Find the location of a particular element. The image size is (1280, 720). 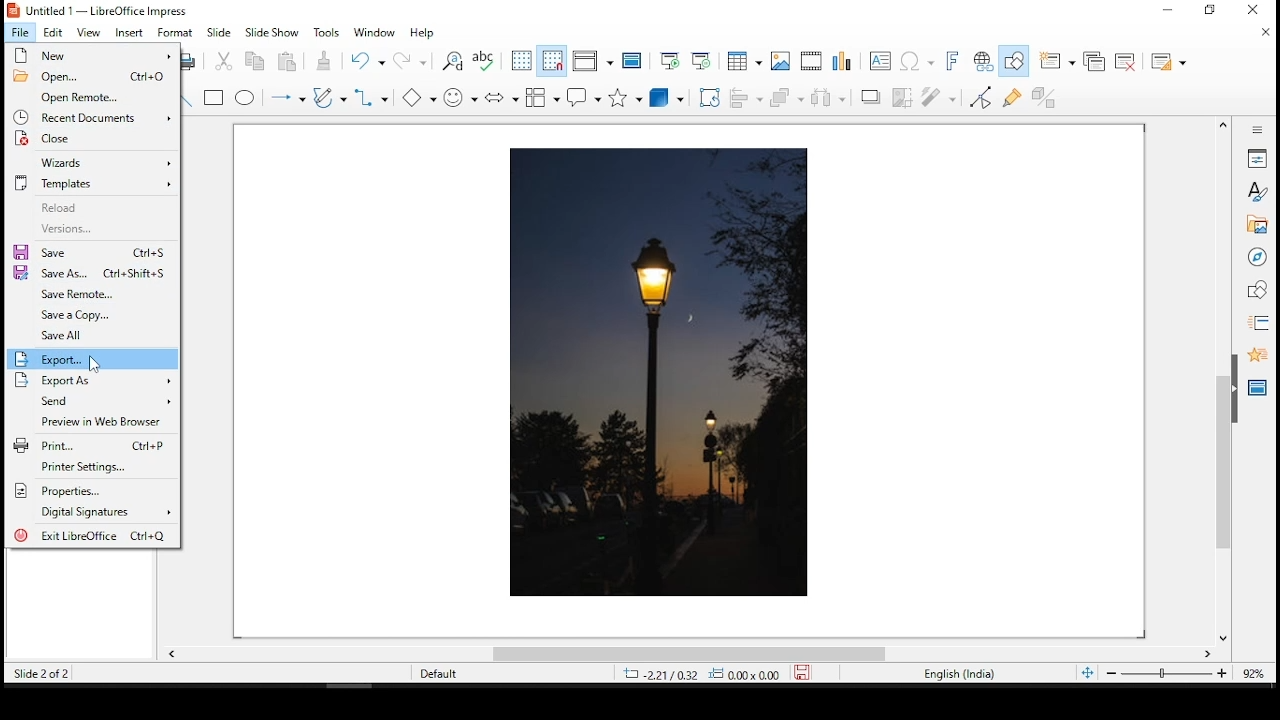

insert audio and video is located at coordinates (811, 60).